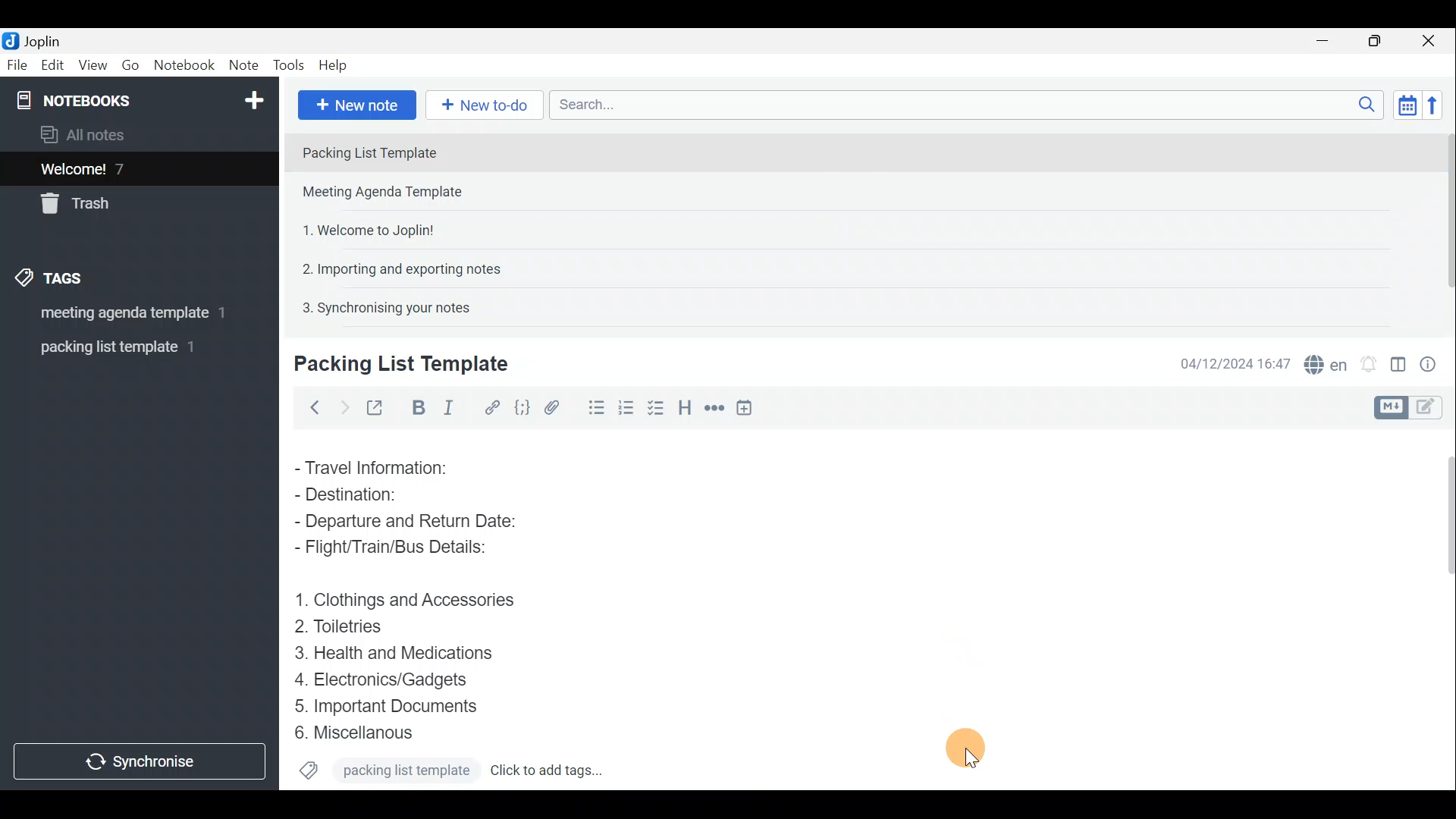 The height and width of the screenshot is (819, 1456). Describe the element at coordinates (335, 67) in the screenshot. I see `Help` at that location.